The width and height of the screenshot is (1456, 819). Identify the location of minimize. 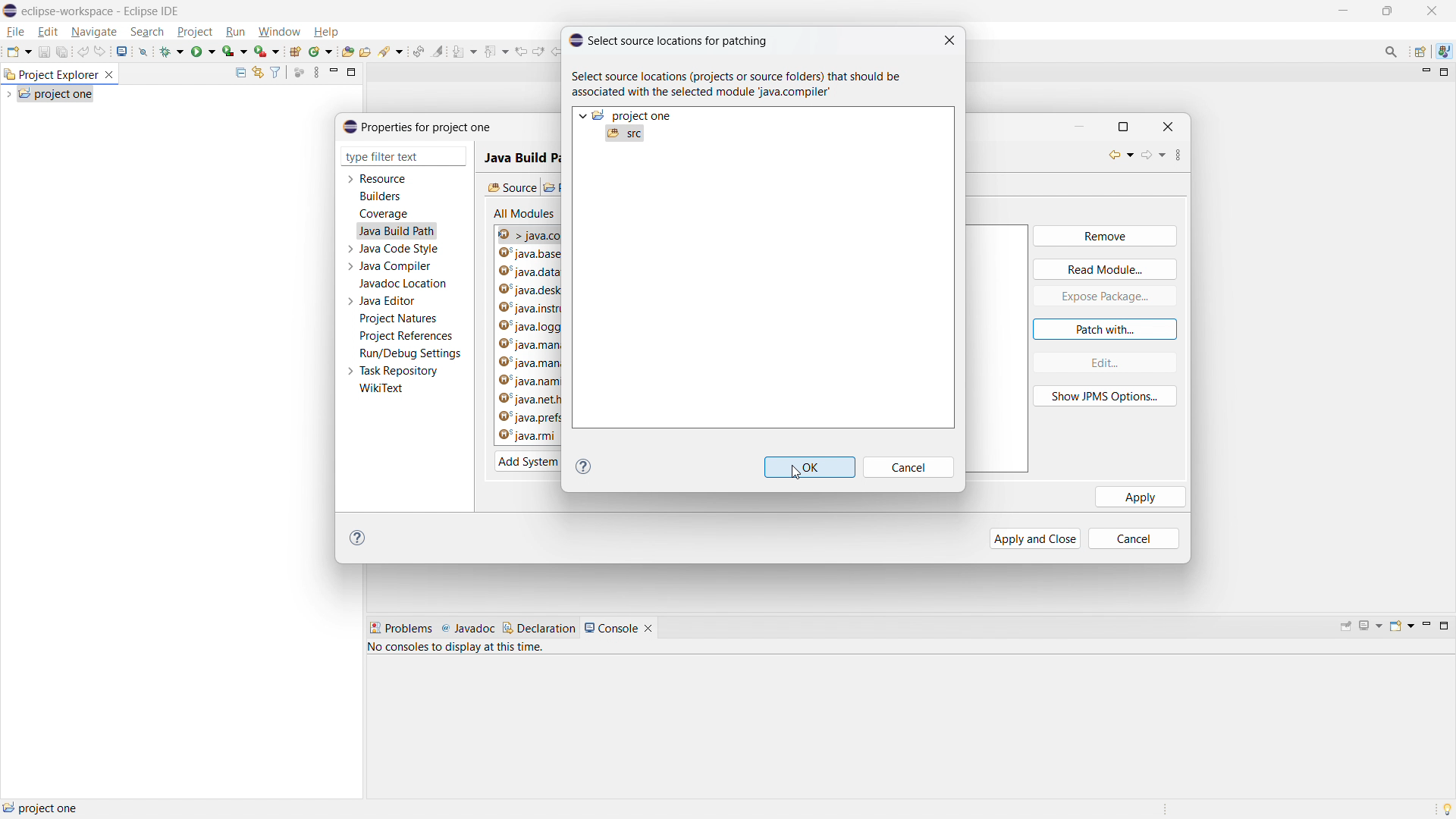
(1388, 11).